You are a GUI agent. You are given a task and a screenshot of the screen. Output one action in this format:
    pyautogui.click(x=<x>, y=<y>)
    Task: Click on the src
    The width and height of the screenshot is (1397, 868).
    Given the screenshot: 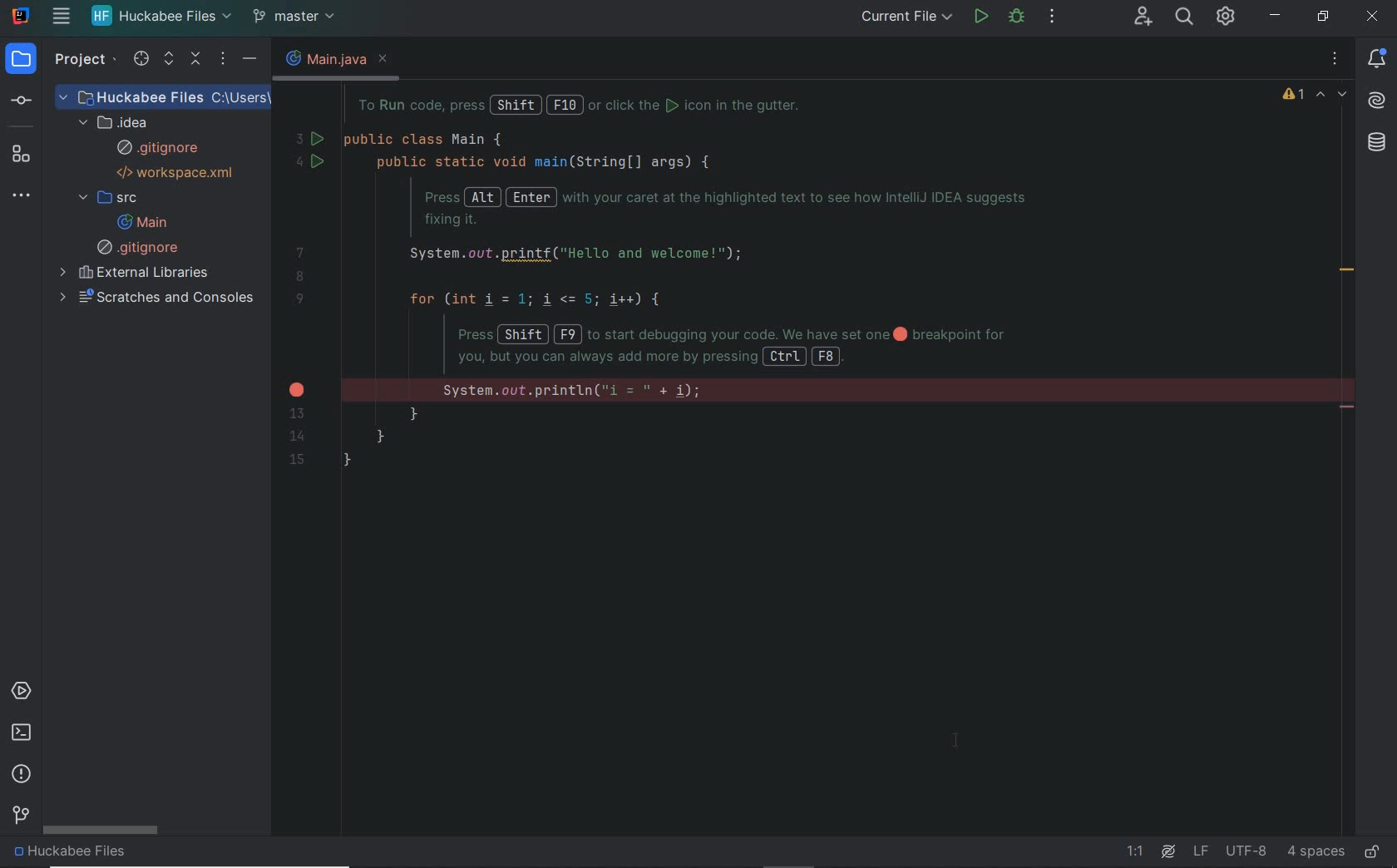 What is the action you would take?
    pyautogui.click(x=107, y=199)
    